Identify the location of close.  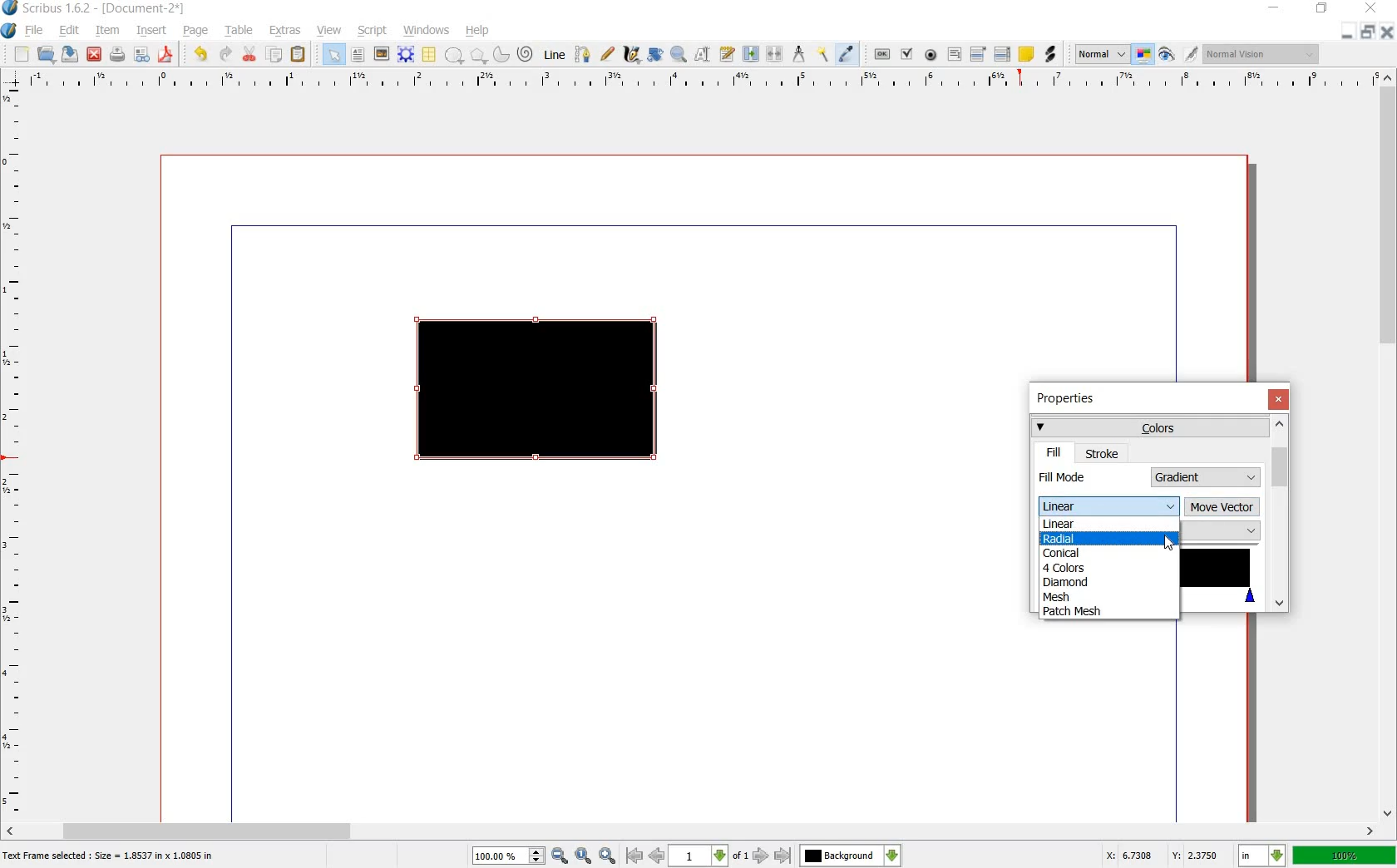
(1278, 399).